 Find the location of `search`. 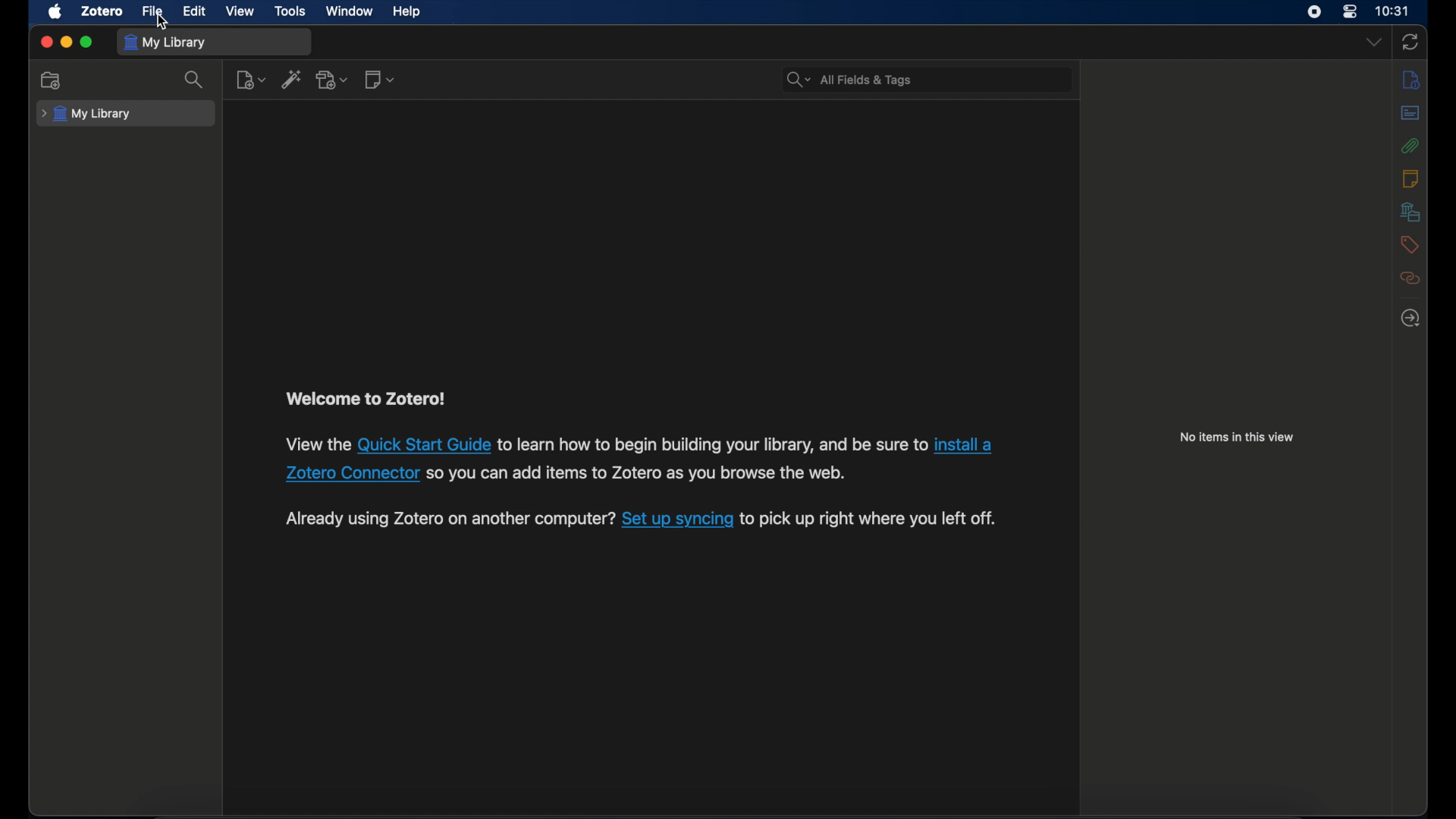

search is located at coordinates (194, 80).